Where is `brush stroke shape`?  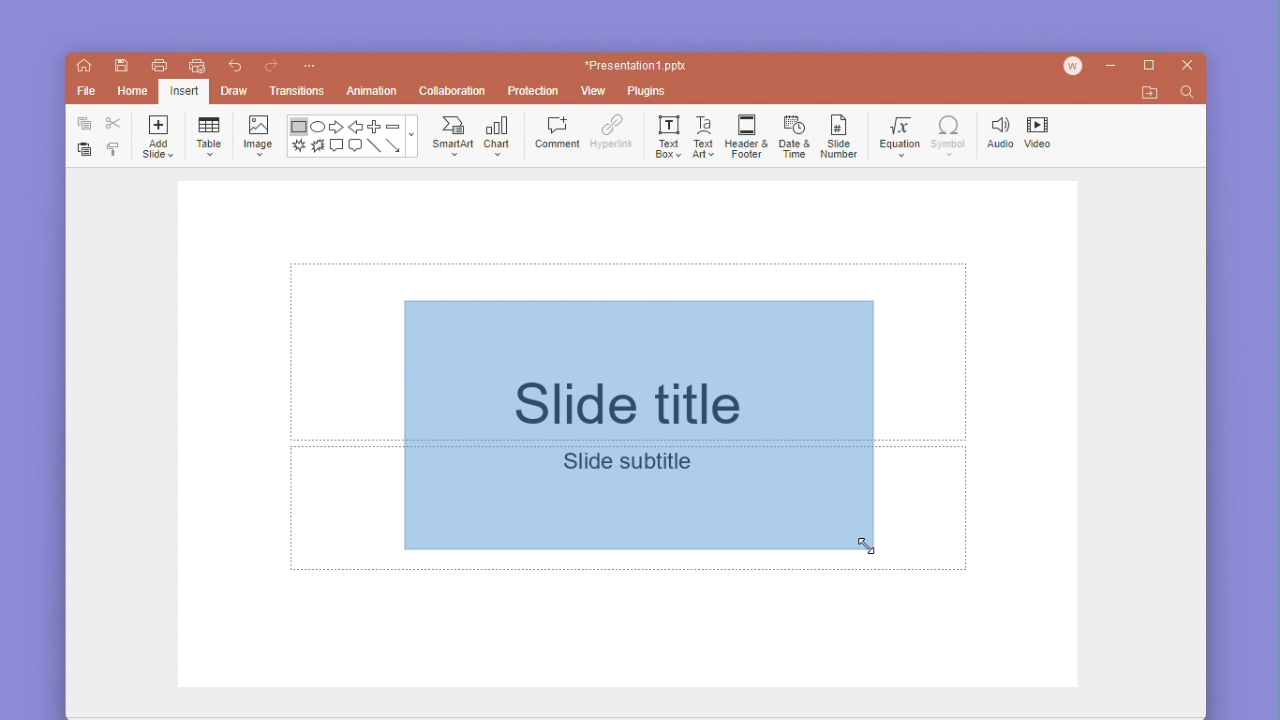 brush stroke shape is located at coordinates (299, 147).